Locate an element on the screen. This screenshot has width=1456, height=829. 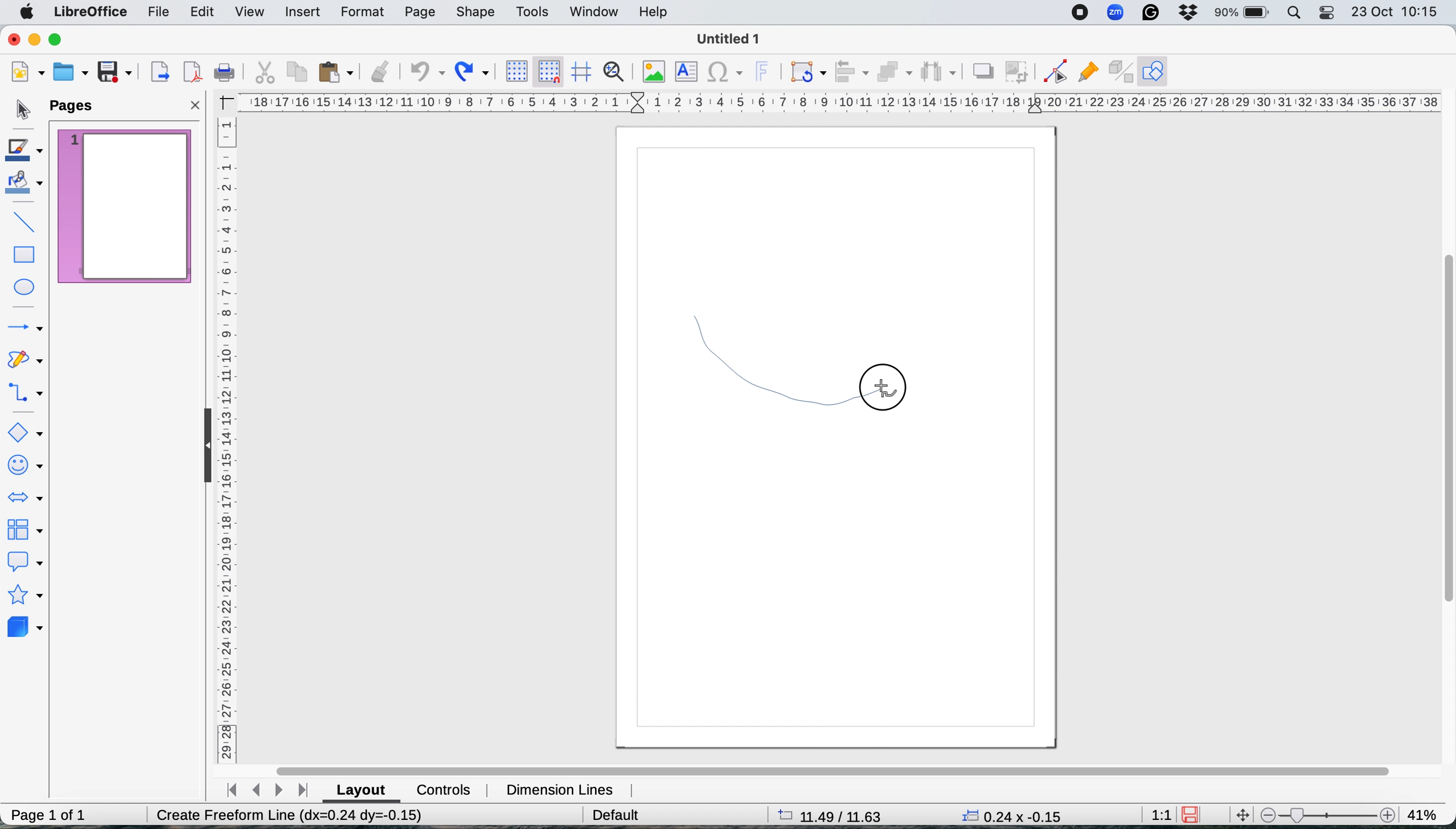
control center is located at coordinates (1328, 16).